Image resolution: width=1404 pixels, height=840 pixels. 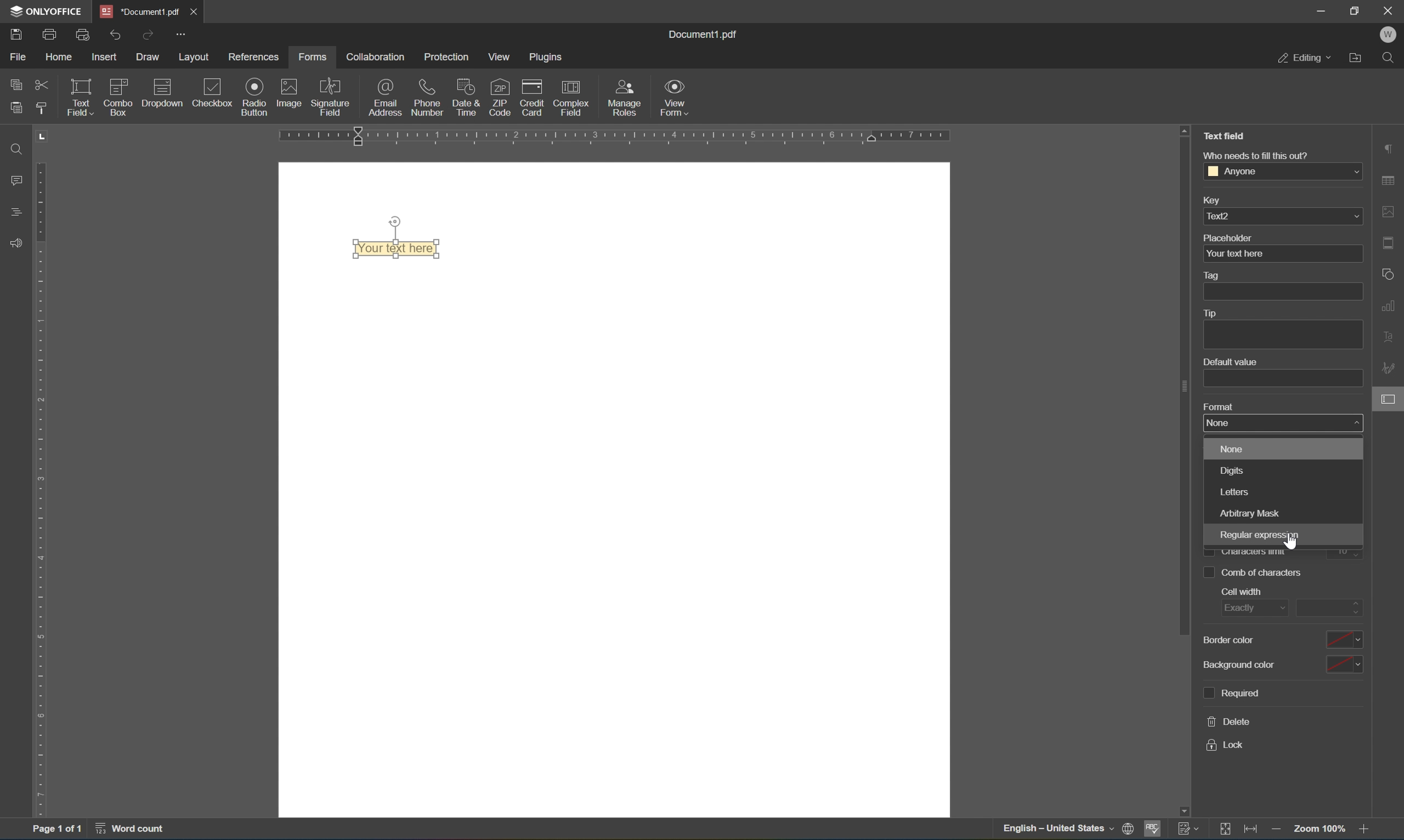 I want to click on your text here, so click(x=1235, y=254).